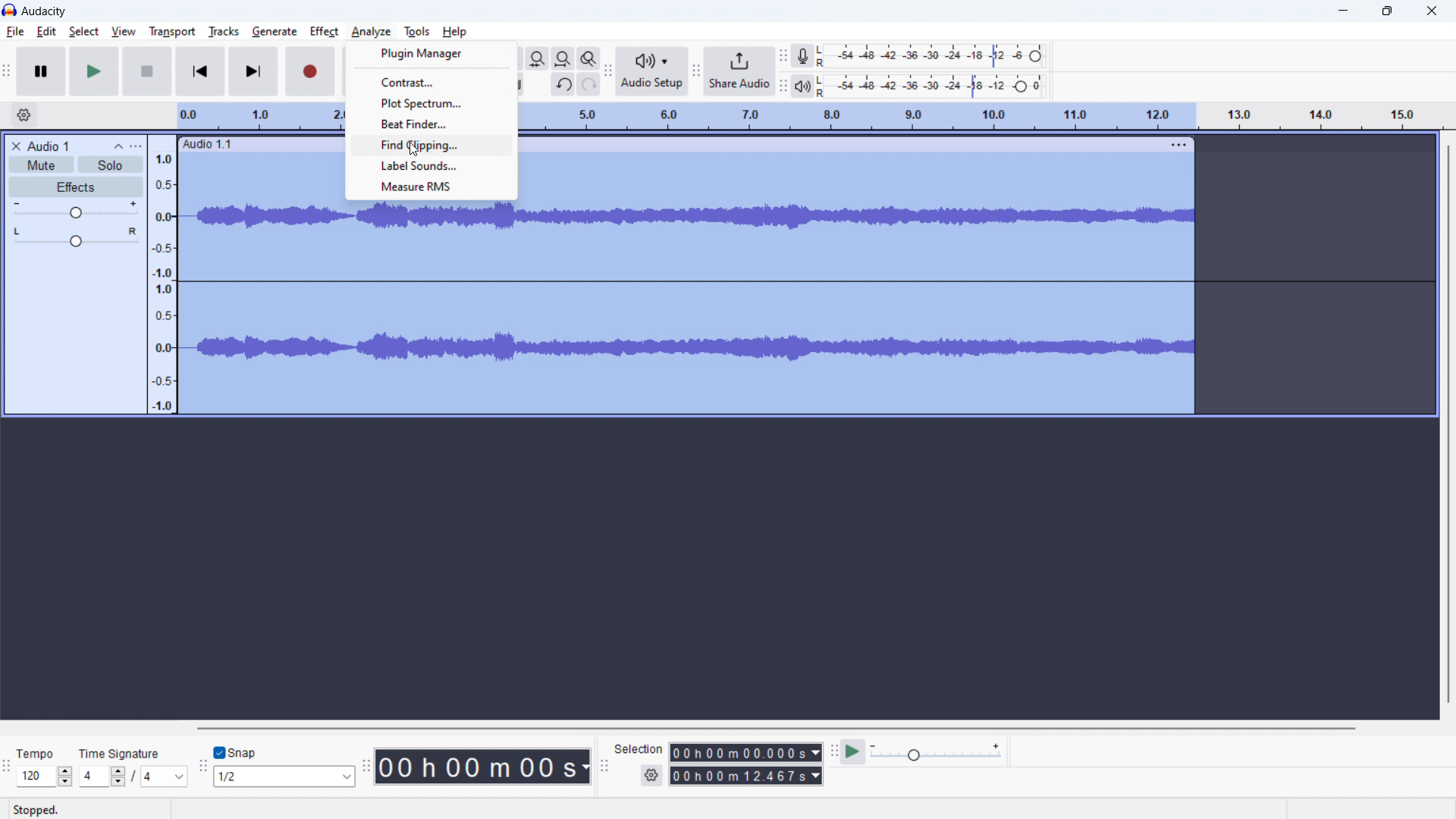 The width and height of the screenshot is (1456, 819). What do you see at coordinates (345, 311) in the screenshot?
I see `Track selected` at bounding box center [345, 311].